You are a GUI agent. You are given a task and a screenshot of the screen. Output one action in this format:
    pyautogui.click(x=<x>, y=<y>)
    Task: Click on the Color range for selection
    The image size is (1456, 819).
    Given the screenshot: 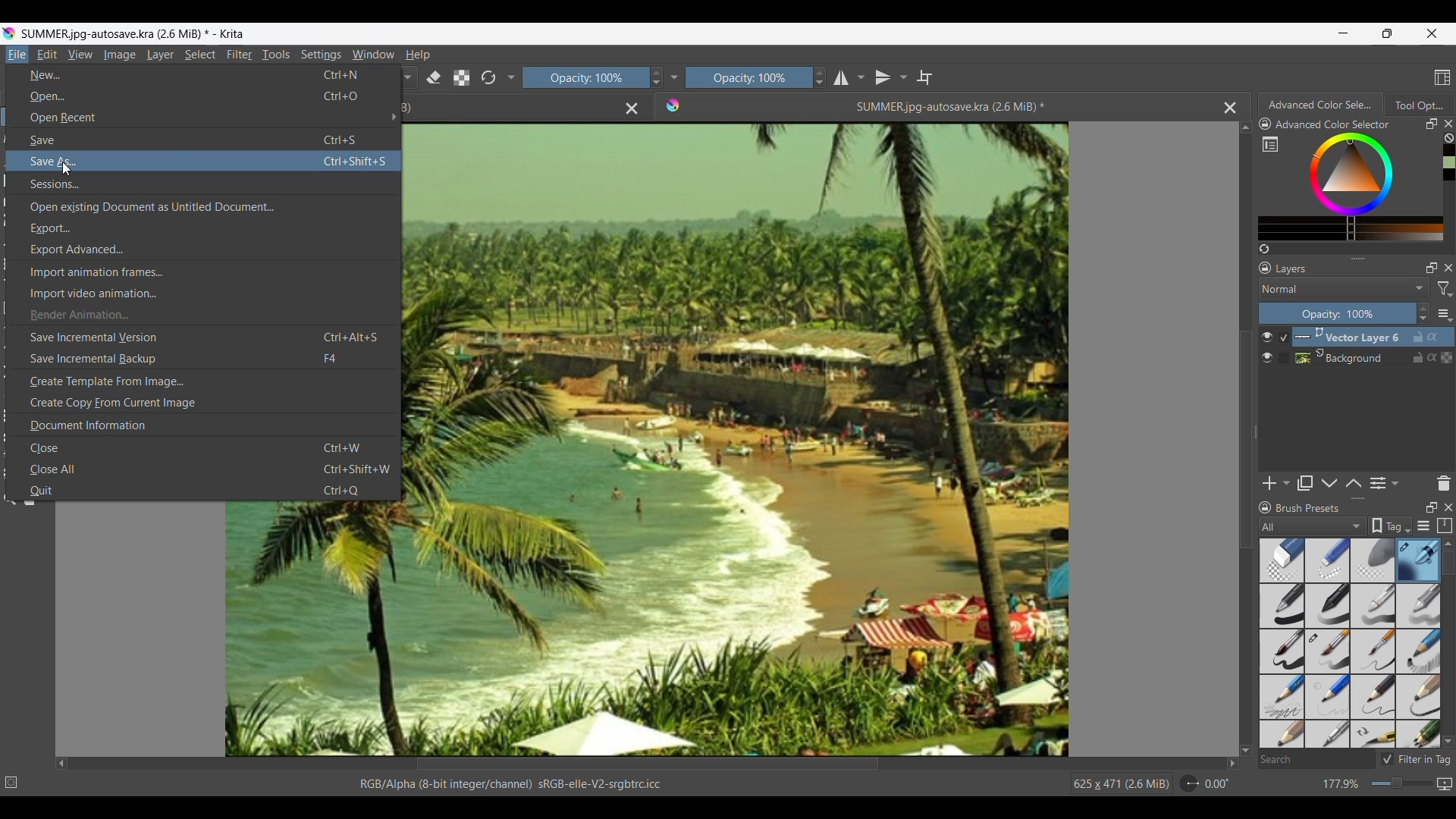 What is the action you would take?
    pyautogui.click(x=1360, y=187)
    